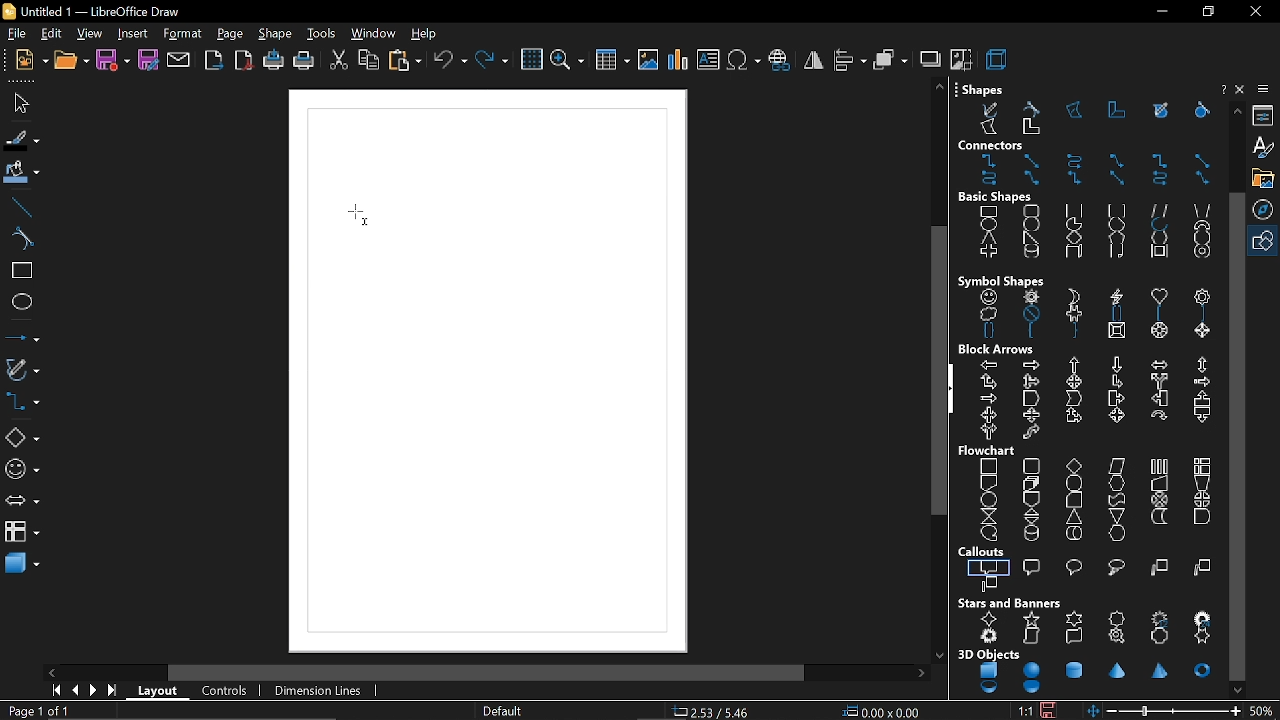 The width and height of the screenshot is (1280, 720). I want to click on current zoom, so click(1263, 711).